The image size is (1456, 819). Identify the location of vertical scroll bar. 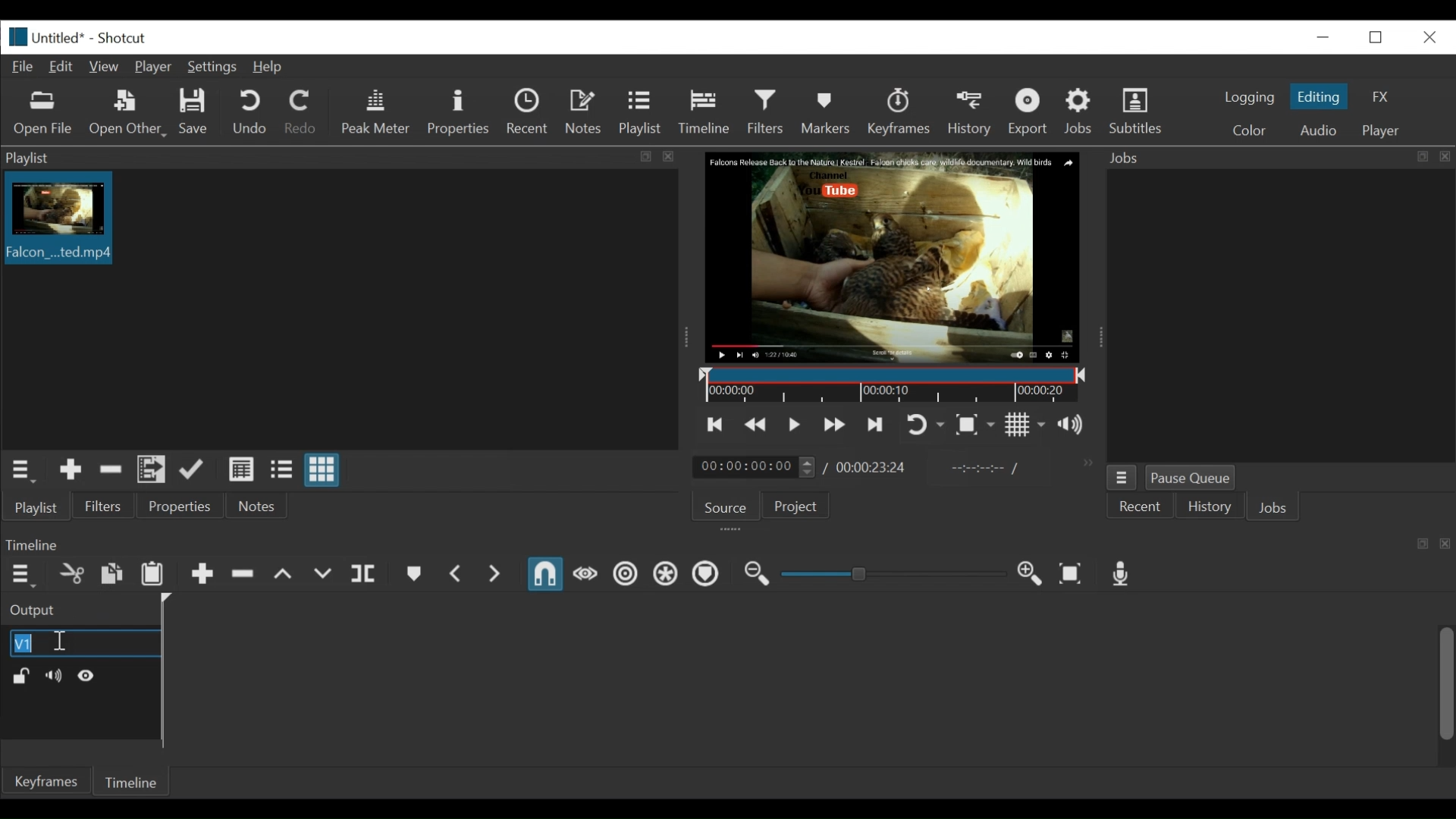
(1433, 692).